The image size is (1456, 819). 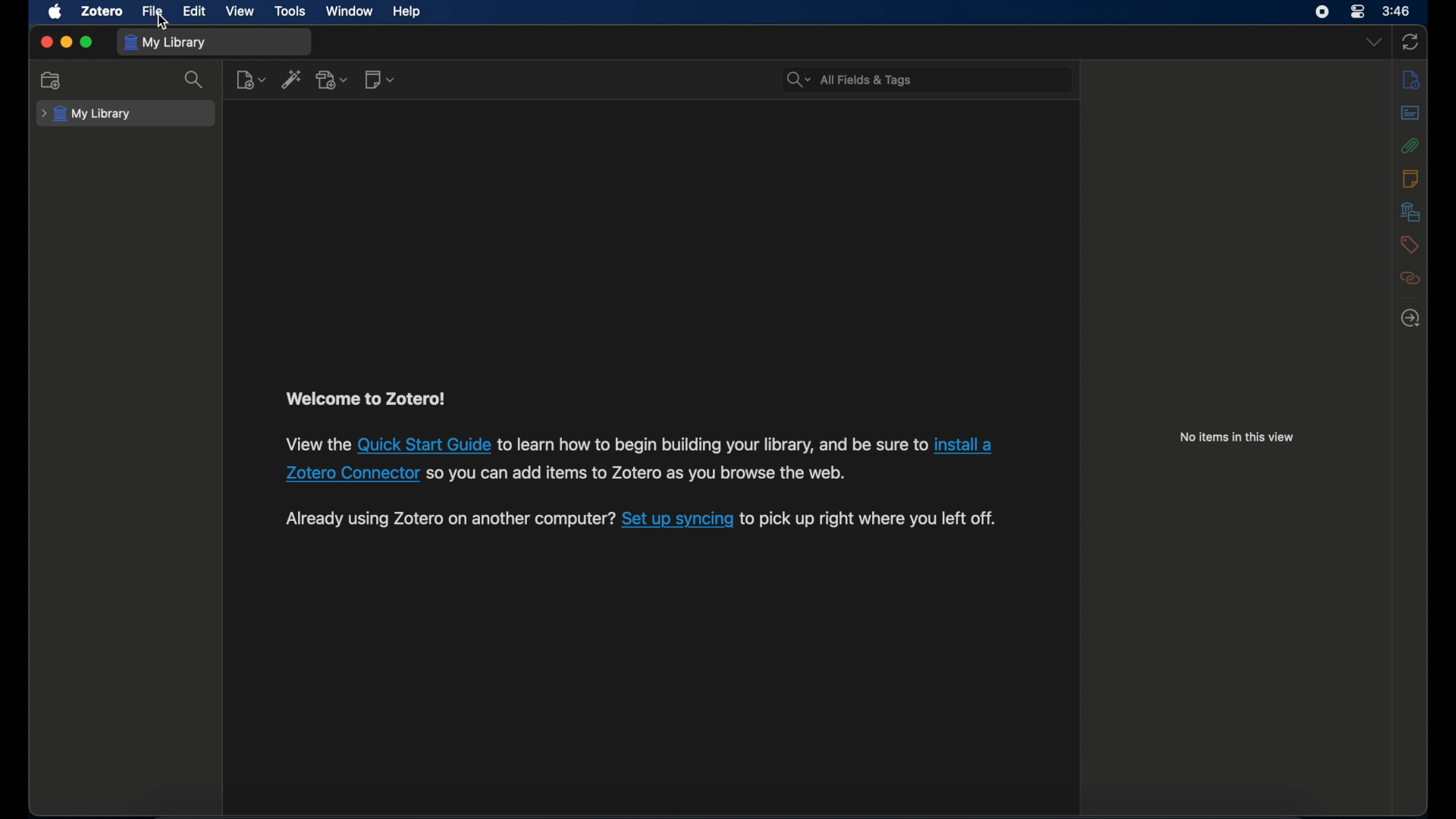 What do you see at coordinates (408, 11) in the screenshot?
I see `help` at bounding box center [408, 11].